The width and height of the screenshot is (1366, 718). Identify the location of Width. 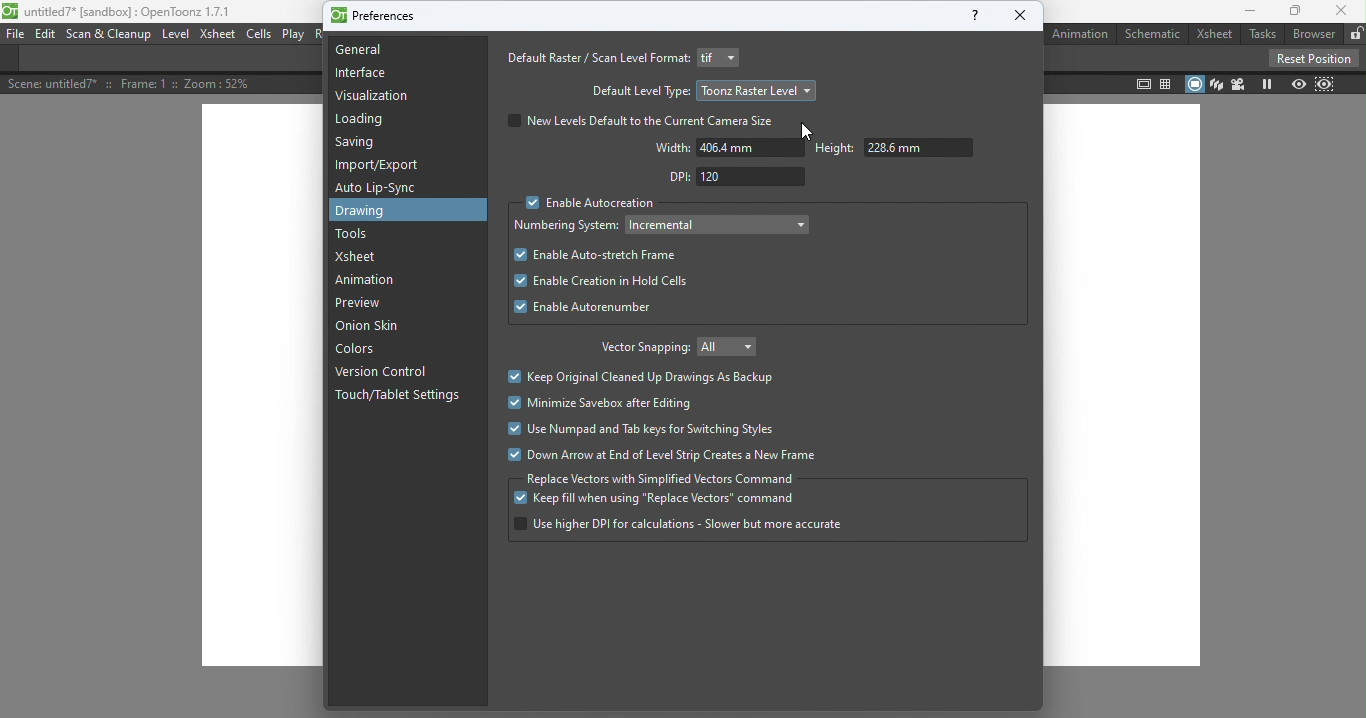
(709, 146).